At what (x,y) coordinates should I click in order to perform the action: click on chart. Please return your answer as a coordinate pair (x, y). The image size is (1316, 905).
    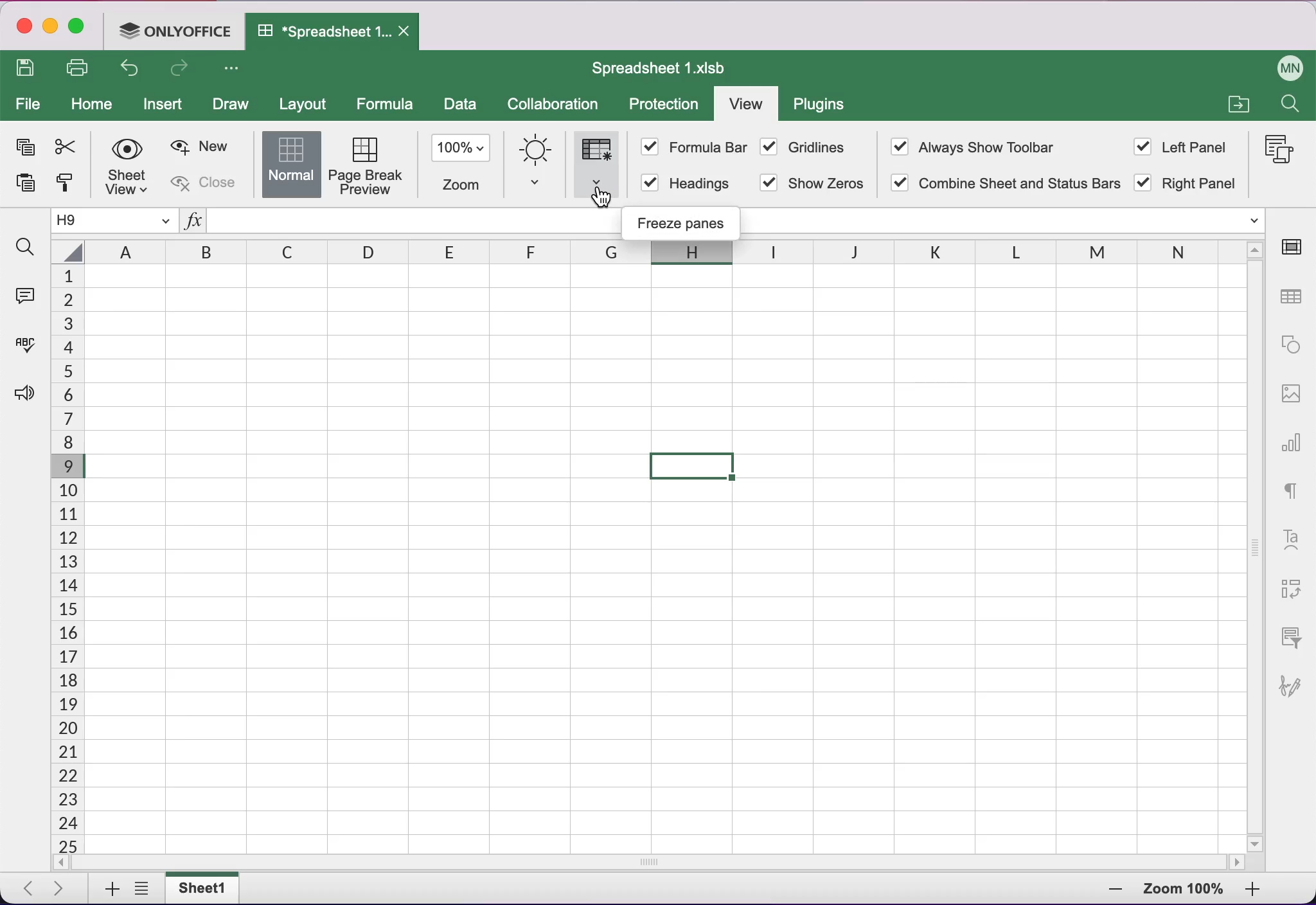
    Looking at the image, I should click on (1292, 447).